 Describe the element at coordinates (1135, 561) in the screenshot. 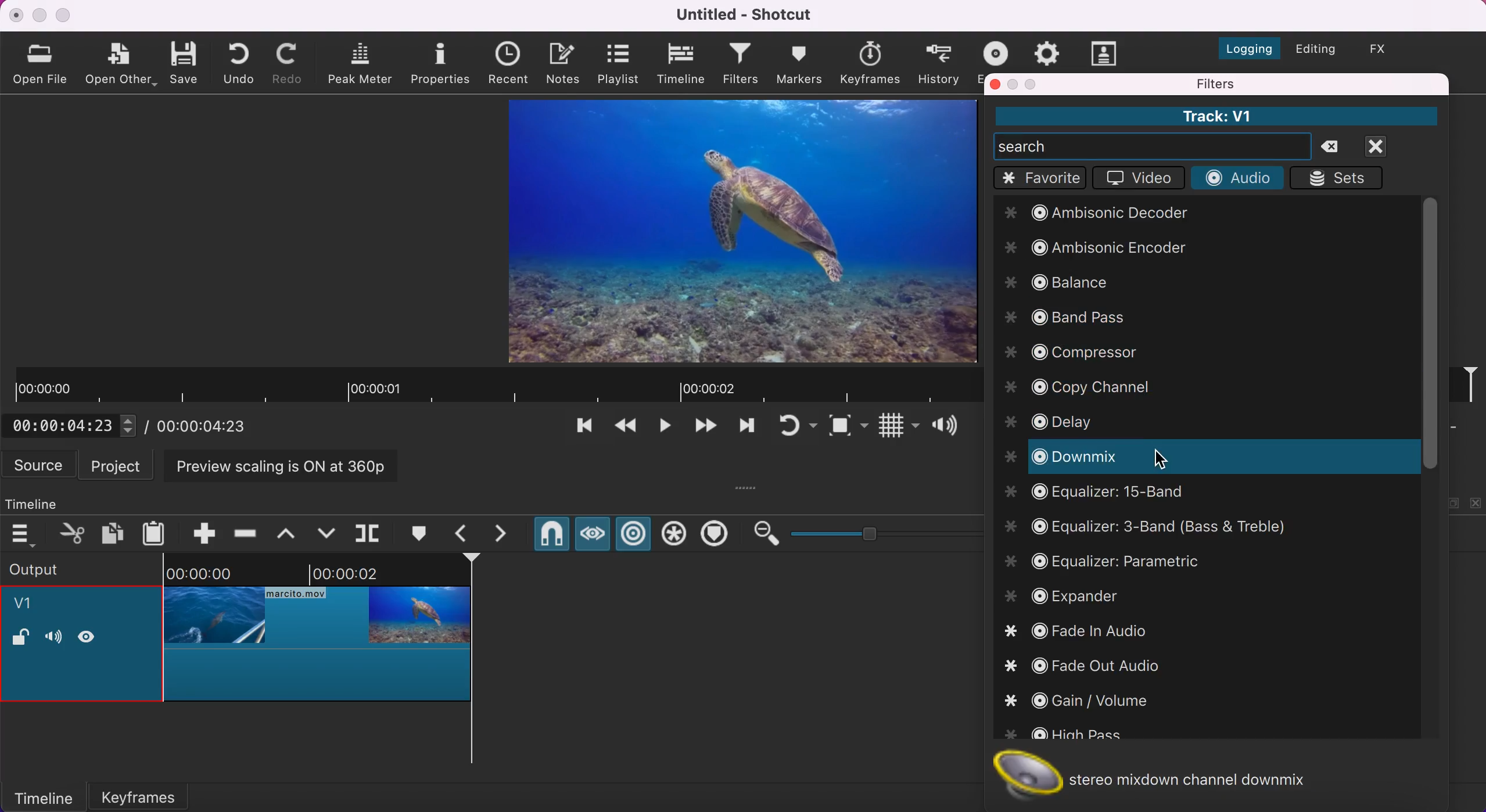

I see `equalizer: parametric` at that location.